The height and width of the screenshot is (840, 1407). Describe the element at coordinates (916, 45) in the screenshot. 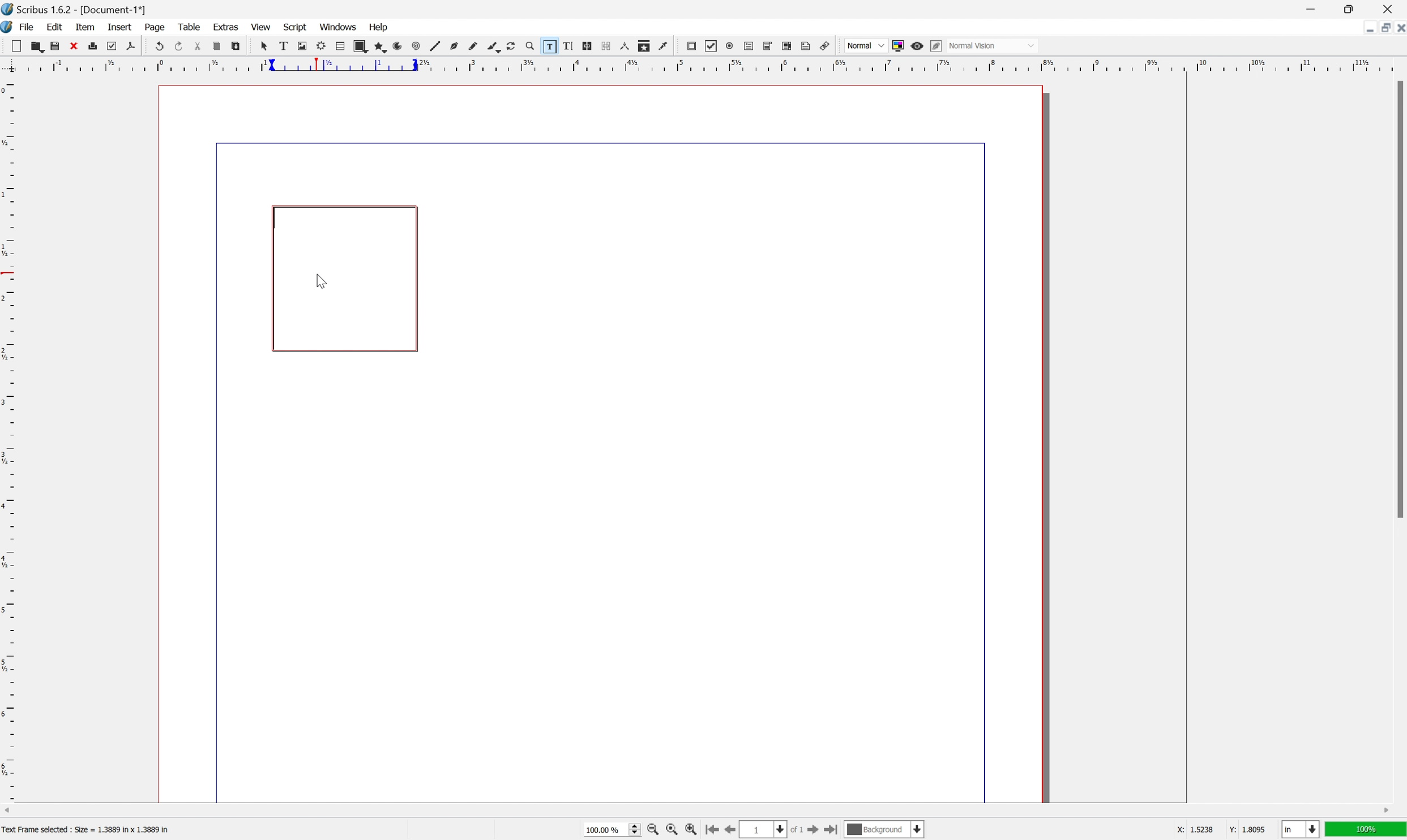

I see `preview mode` at that location.